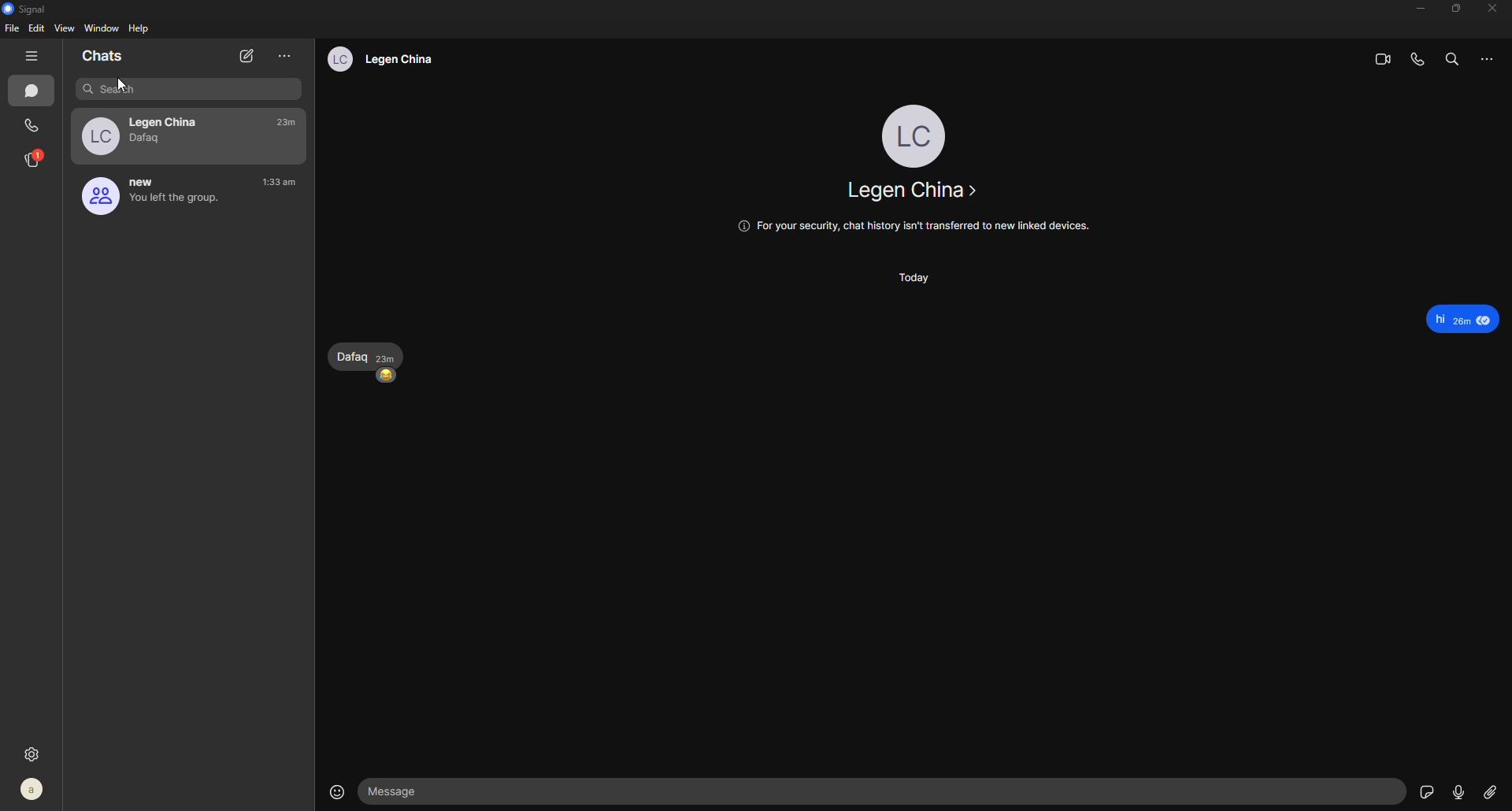  What do you see at coordinates (291, 124) in the screenshot?
I see `time- 23m` at bounding box center [291, 124].